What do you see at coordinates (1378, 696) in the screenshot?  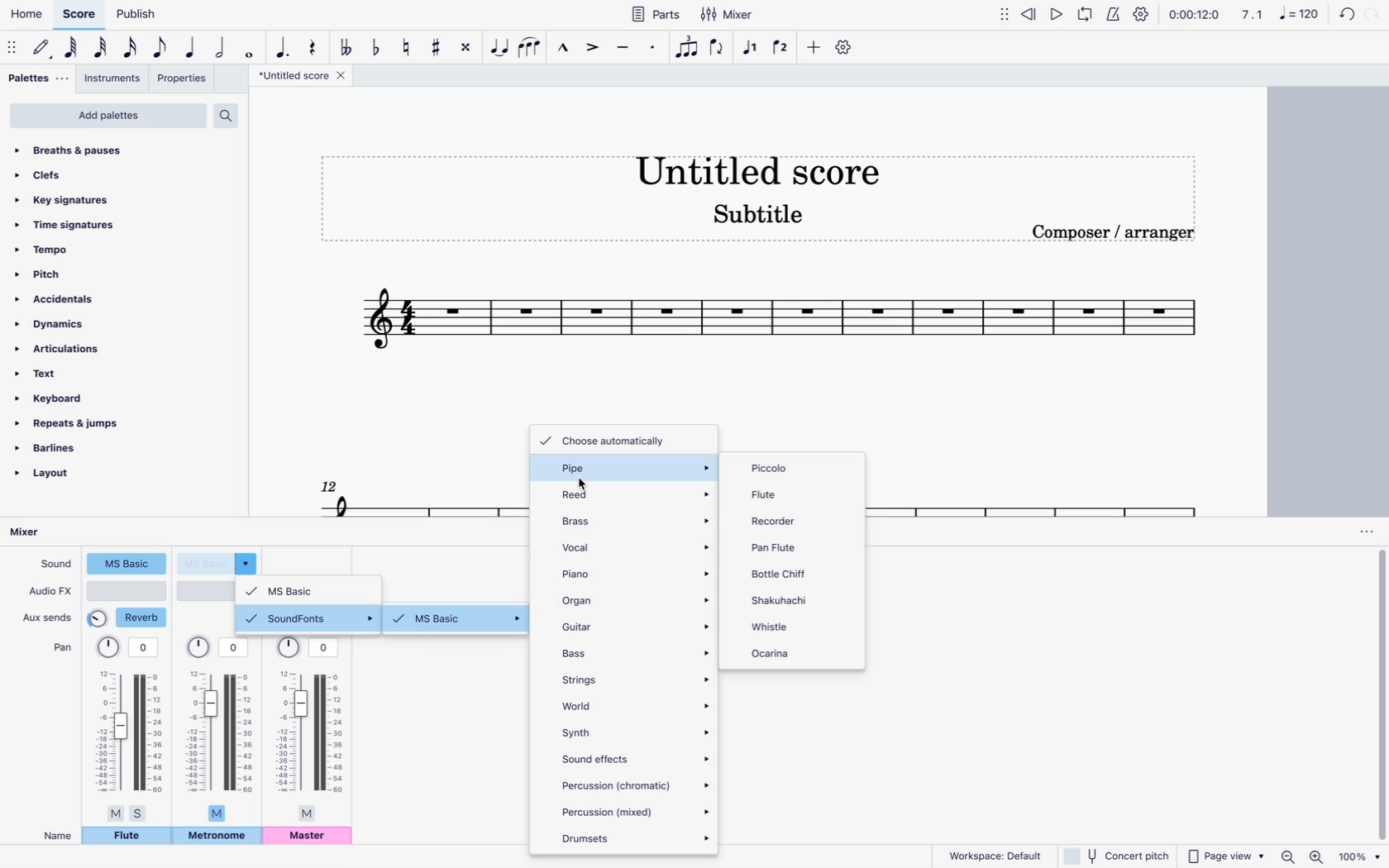 I see `vertical scrollbar` at bounding box center [1378, 696].